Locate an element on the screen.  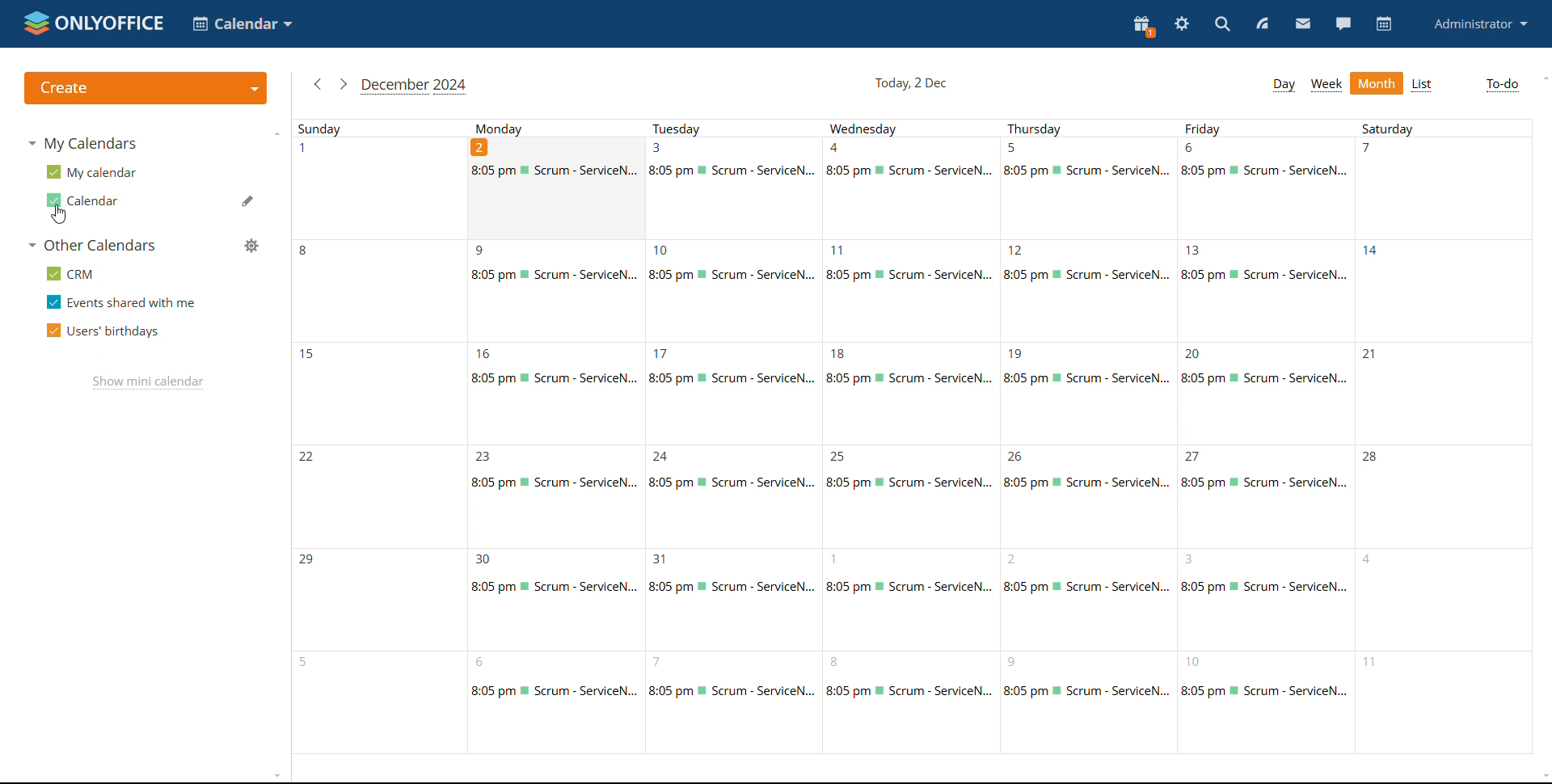
week view is located at coordinates (1327, 84).